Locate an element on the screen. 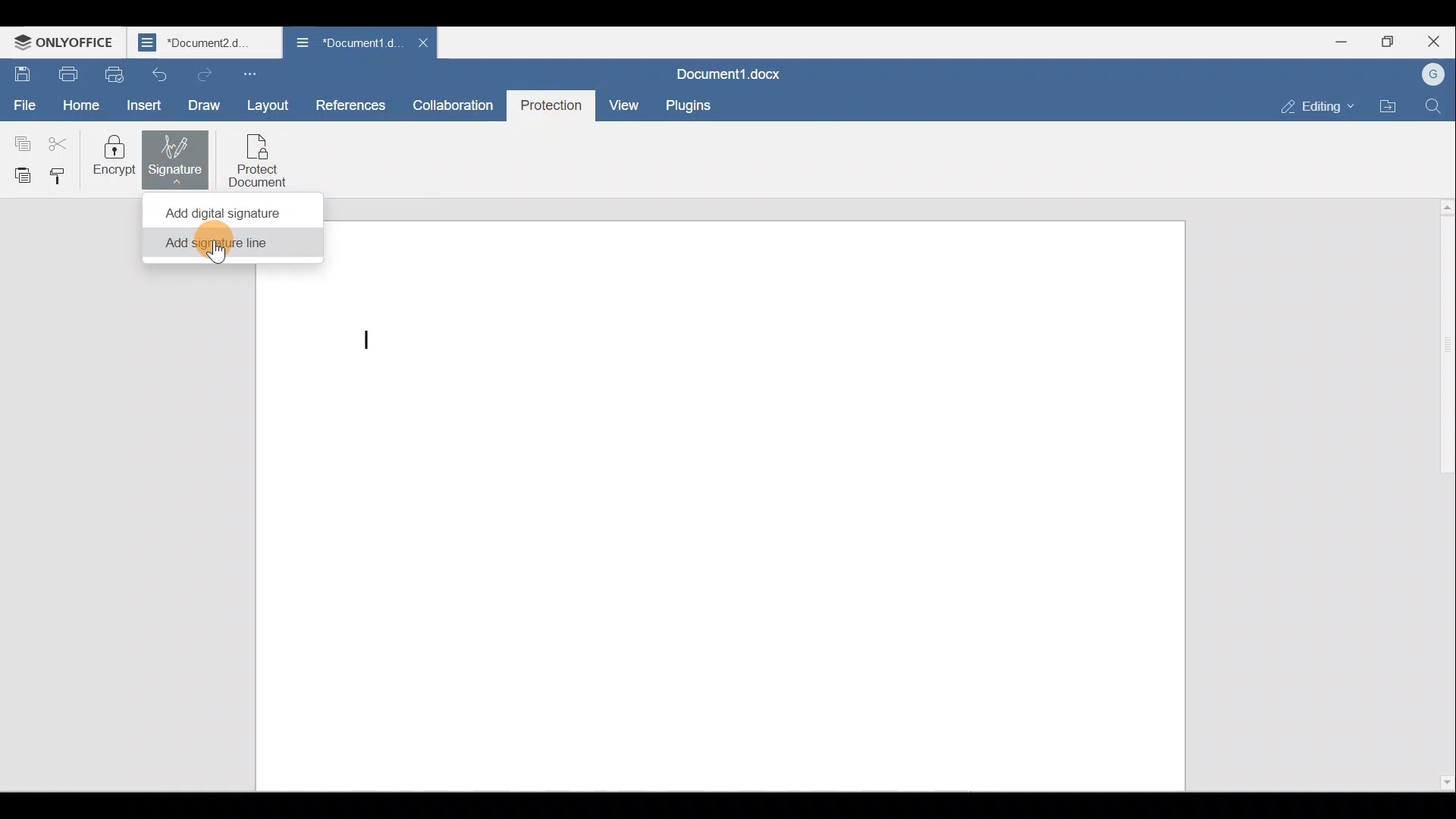 The height and width of the screenshot is (819, 1456). Account name is located at coordinates (1436, 73).